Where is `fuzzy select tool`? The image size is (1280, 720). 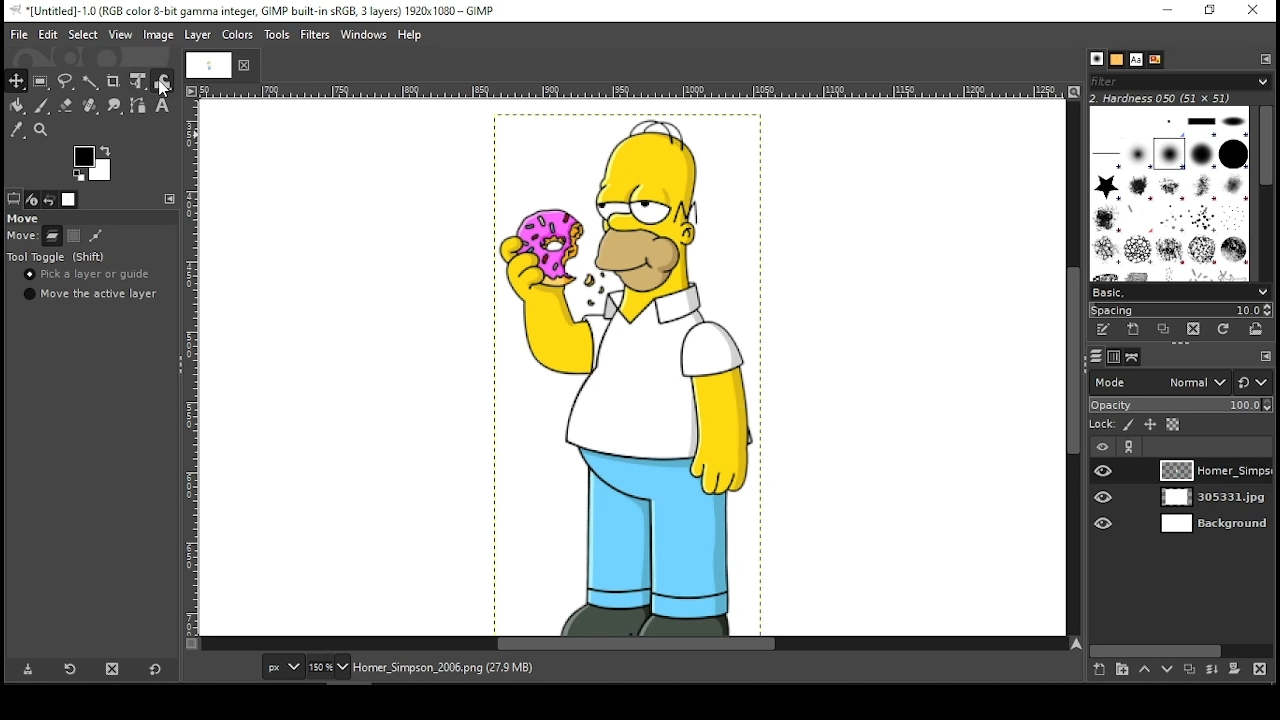
fuzzy select tool is located at coordinates (91, 81).